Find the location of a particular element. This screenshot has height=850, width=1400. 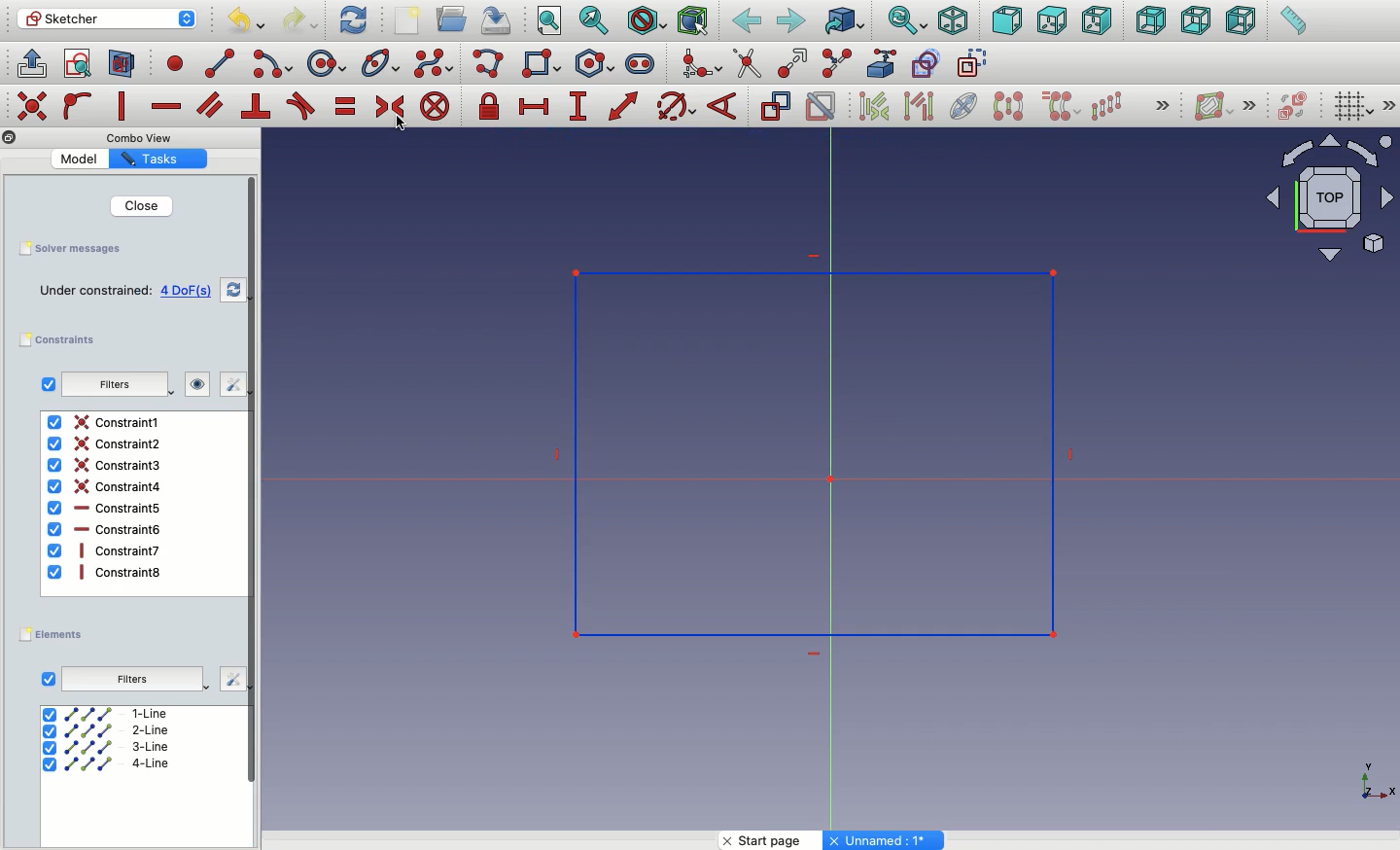

constrain coincident is located at coordinates (34, 106).